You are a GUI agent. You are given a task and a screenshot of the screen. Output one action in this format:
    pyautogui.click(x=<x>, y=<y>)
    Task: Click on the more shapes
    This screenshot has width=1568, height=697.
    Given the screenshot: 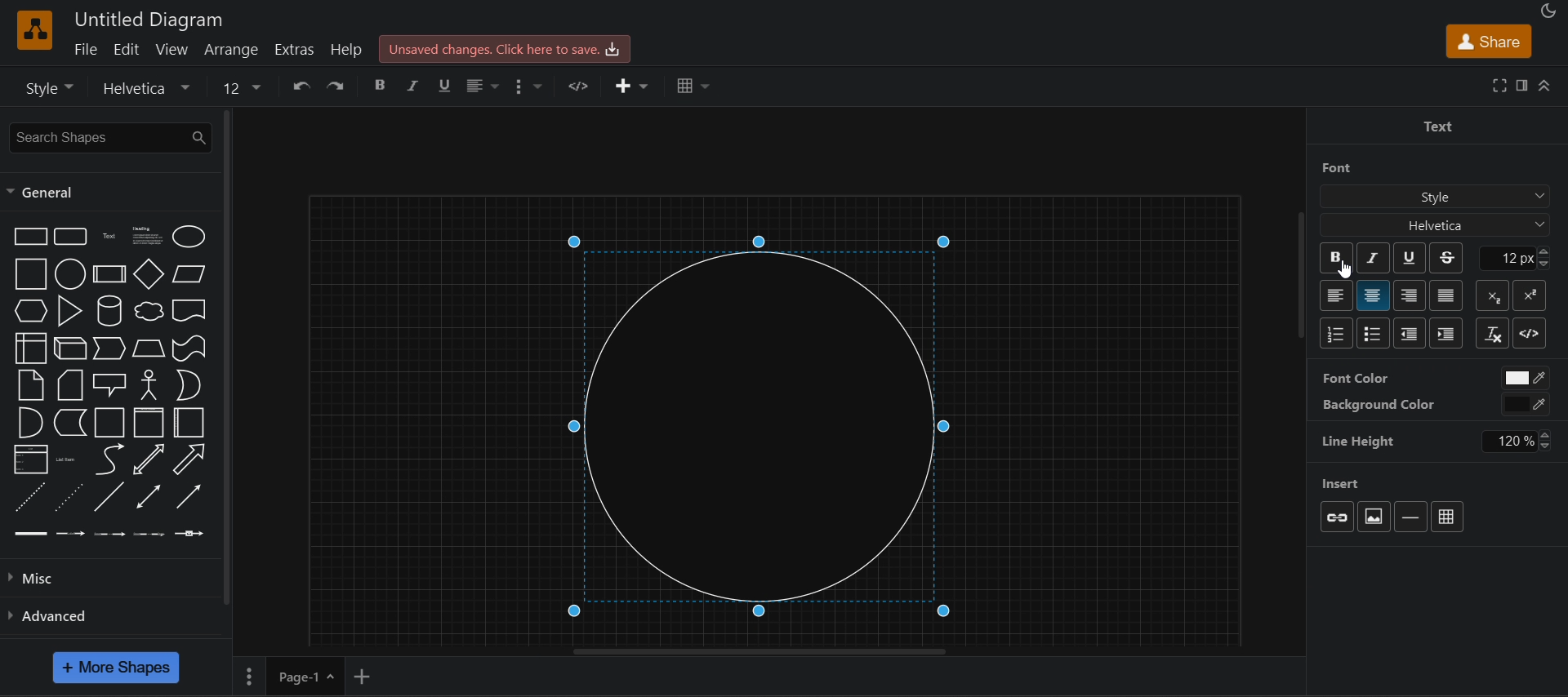 What is the action you would take?
    pyautogui.click(x=118, y=673)
    